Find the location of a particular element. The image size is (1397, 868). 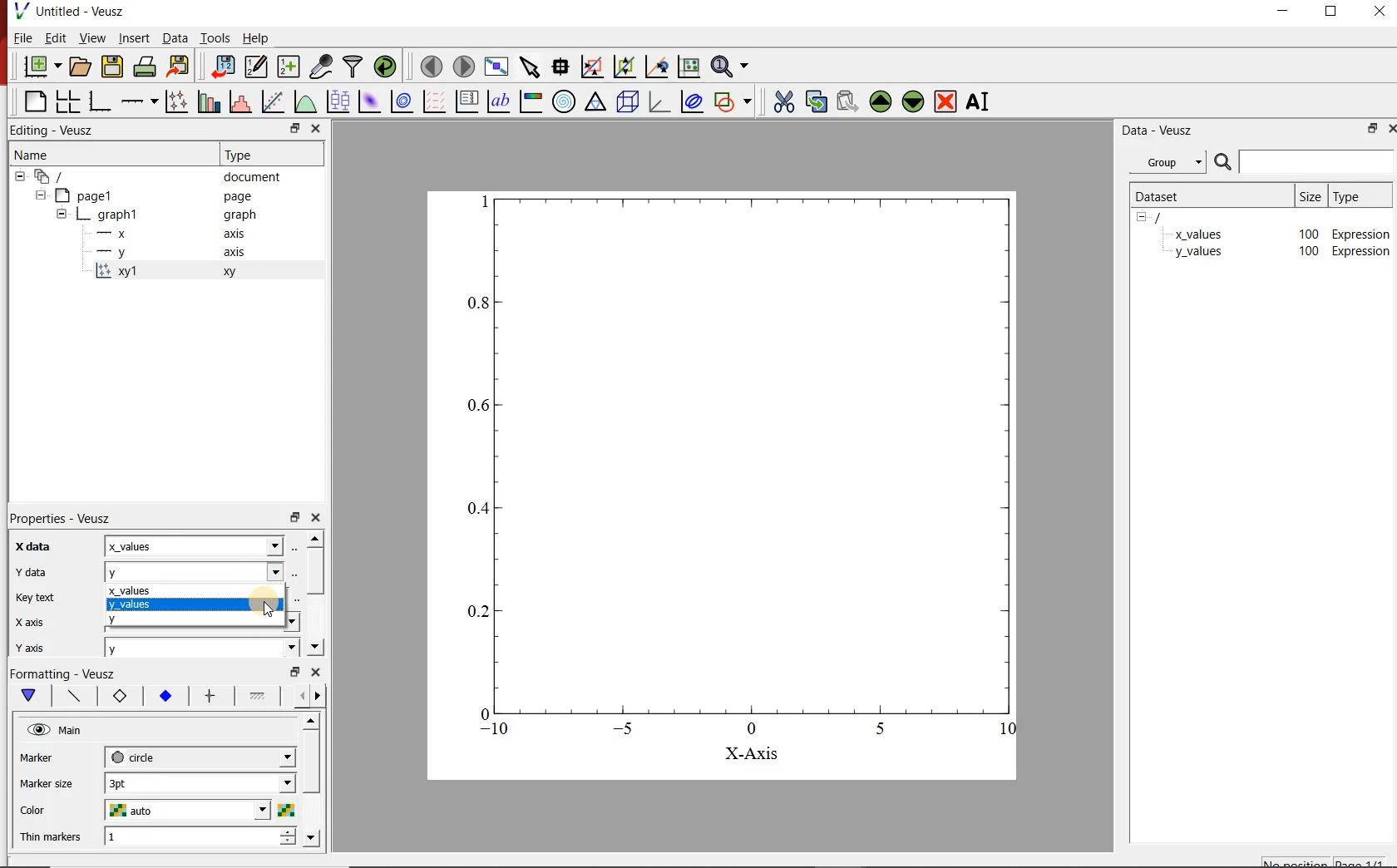

click to zoom out on graph axes is located at coordinates (622, 67).